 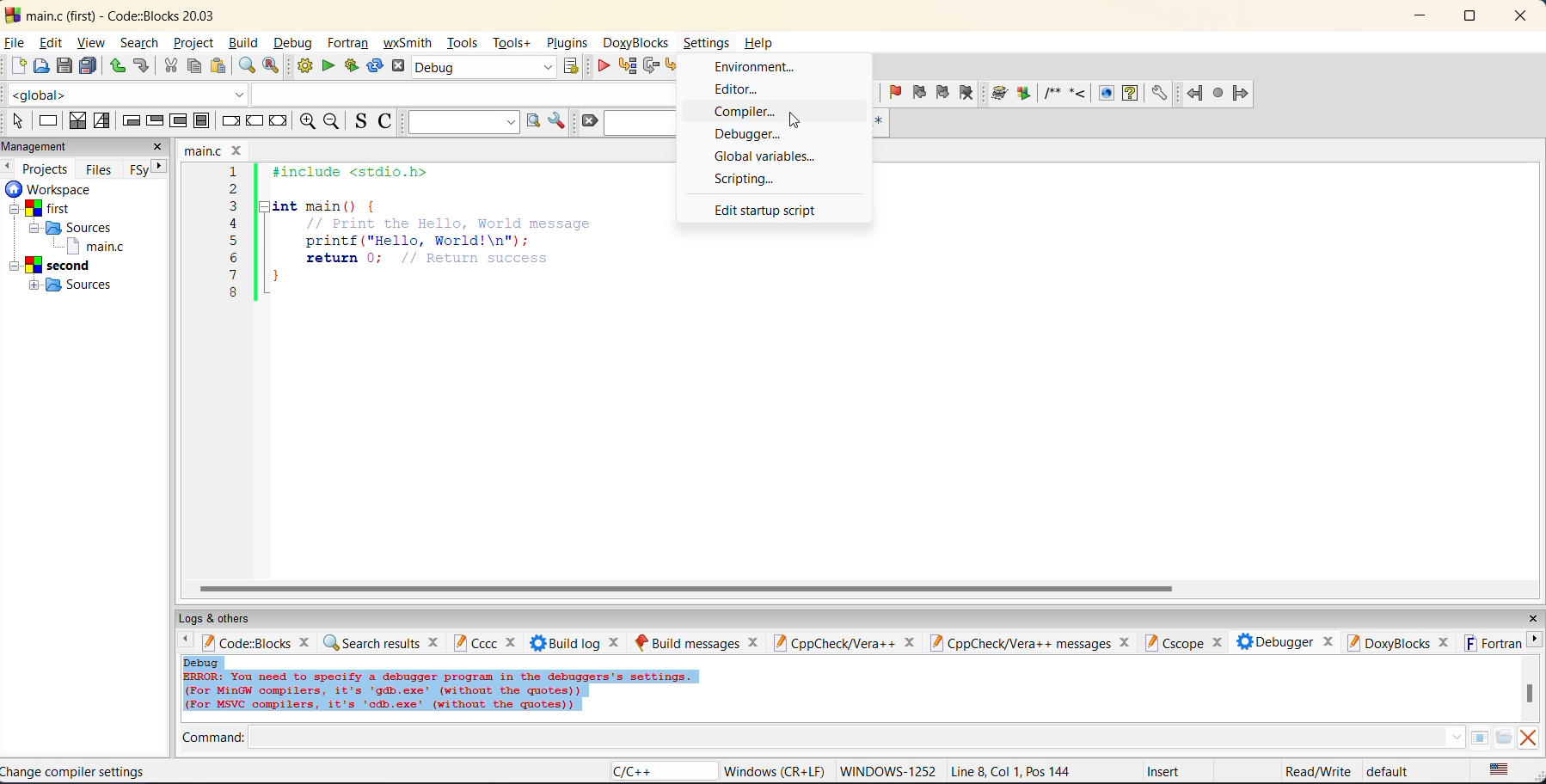 What do you see at coordinates (569, 44) in the screenshot?
I see `plugins` at bounding box center [569, 44].